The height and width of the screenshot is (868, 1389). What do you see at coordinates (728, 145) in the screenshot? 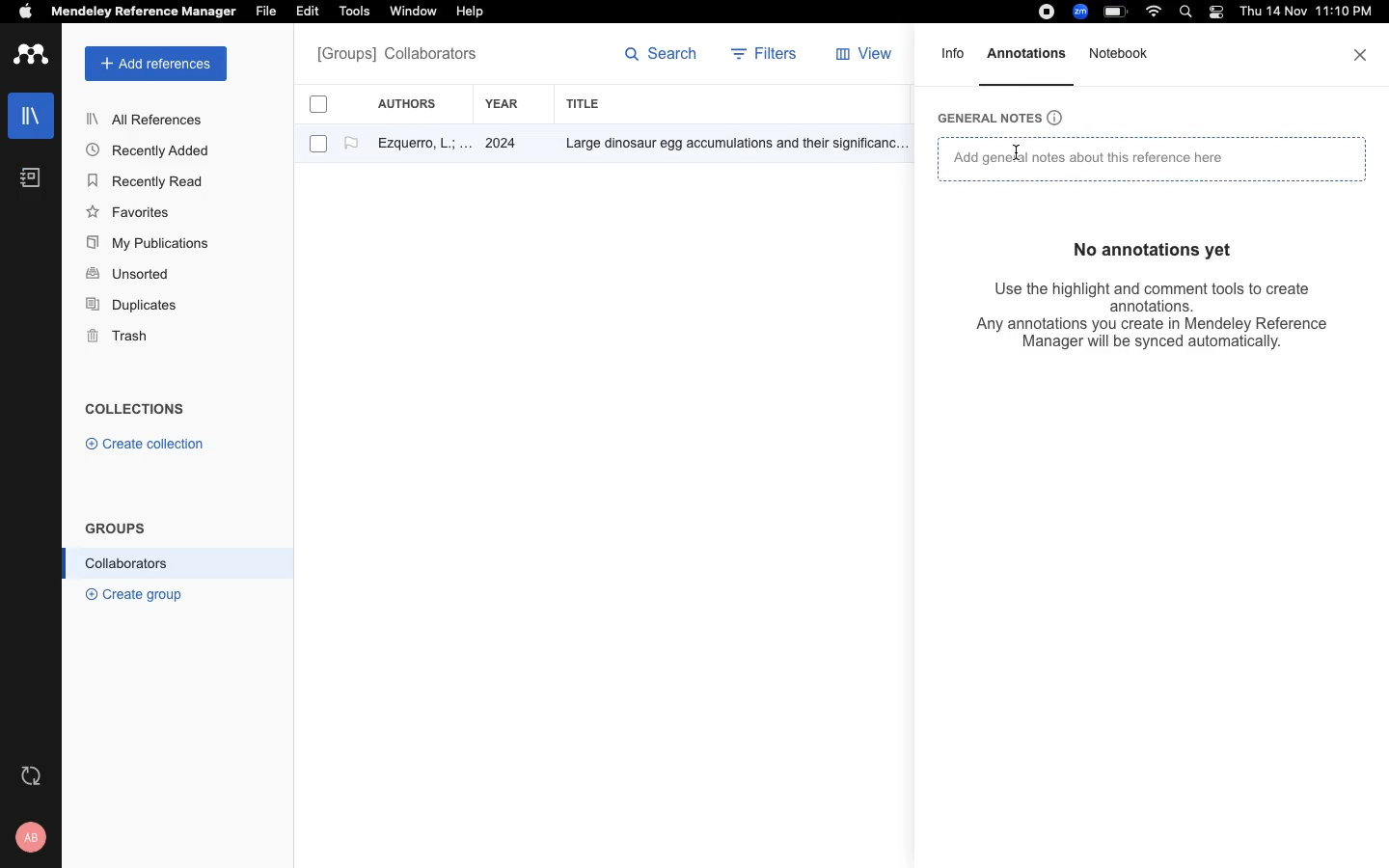
I see `` at bounding box center [728, 145].